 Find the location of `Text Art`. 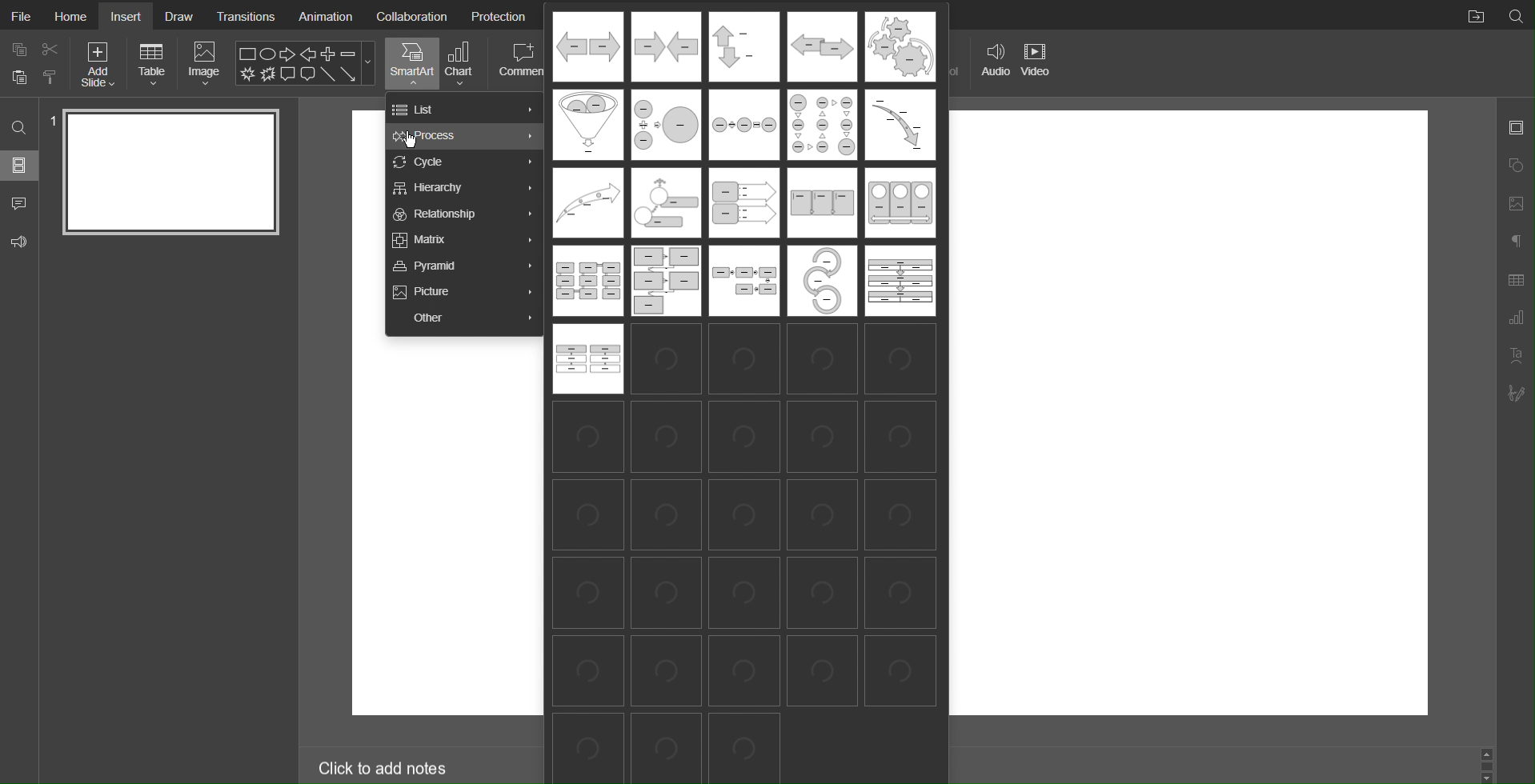

Text Art is located at coordinates (1514, 355).